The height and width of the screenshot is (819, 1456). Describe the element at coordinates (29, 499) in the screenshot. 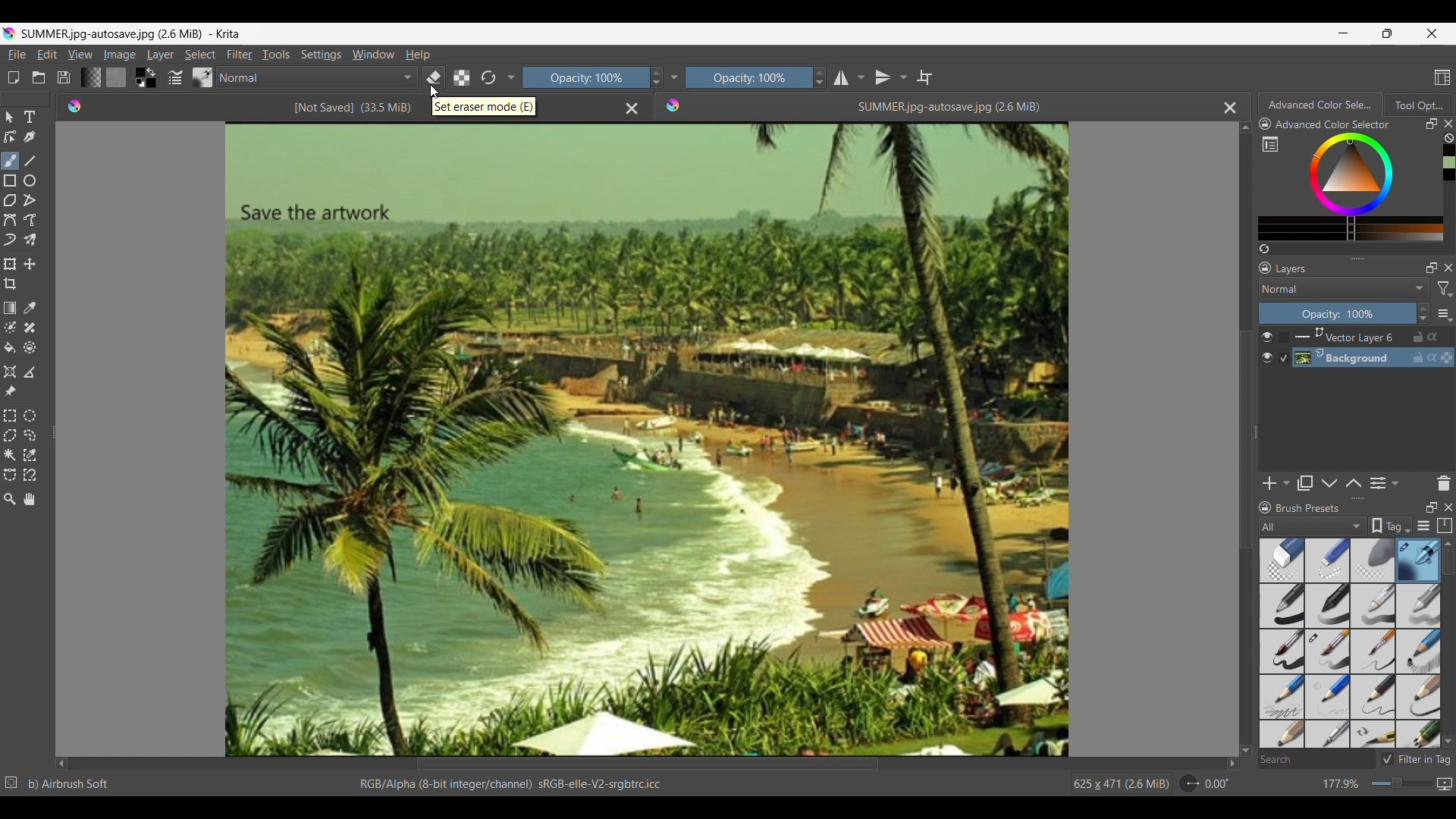

I see `Pan tool` at that location.